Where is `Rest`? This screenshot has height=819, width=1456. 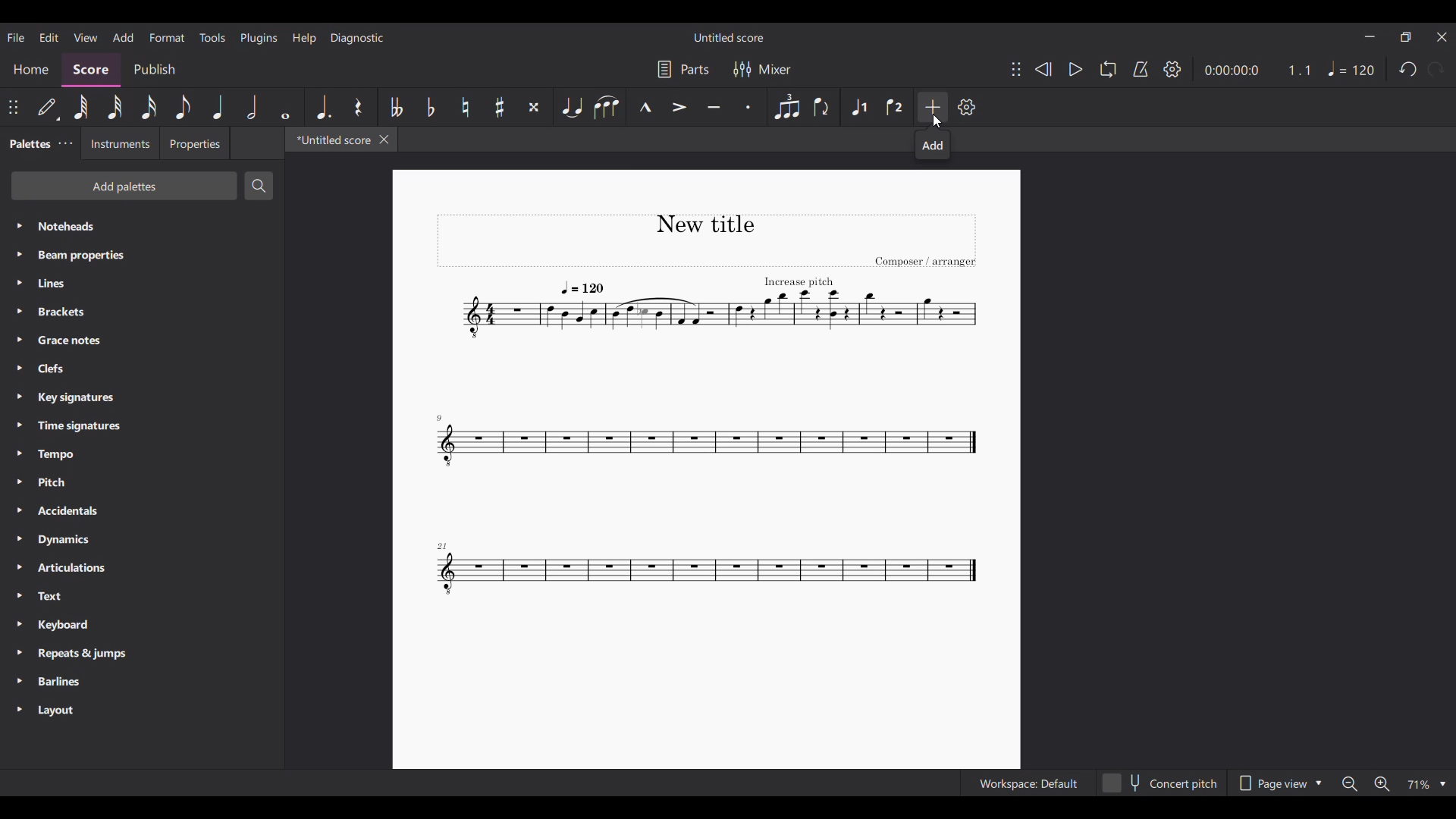 Rest is located at coordinates (359, 107).